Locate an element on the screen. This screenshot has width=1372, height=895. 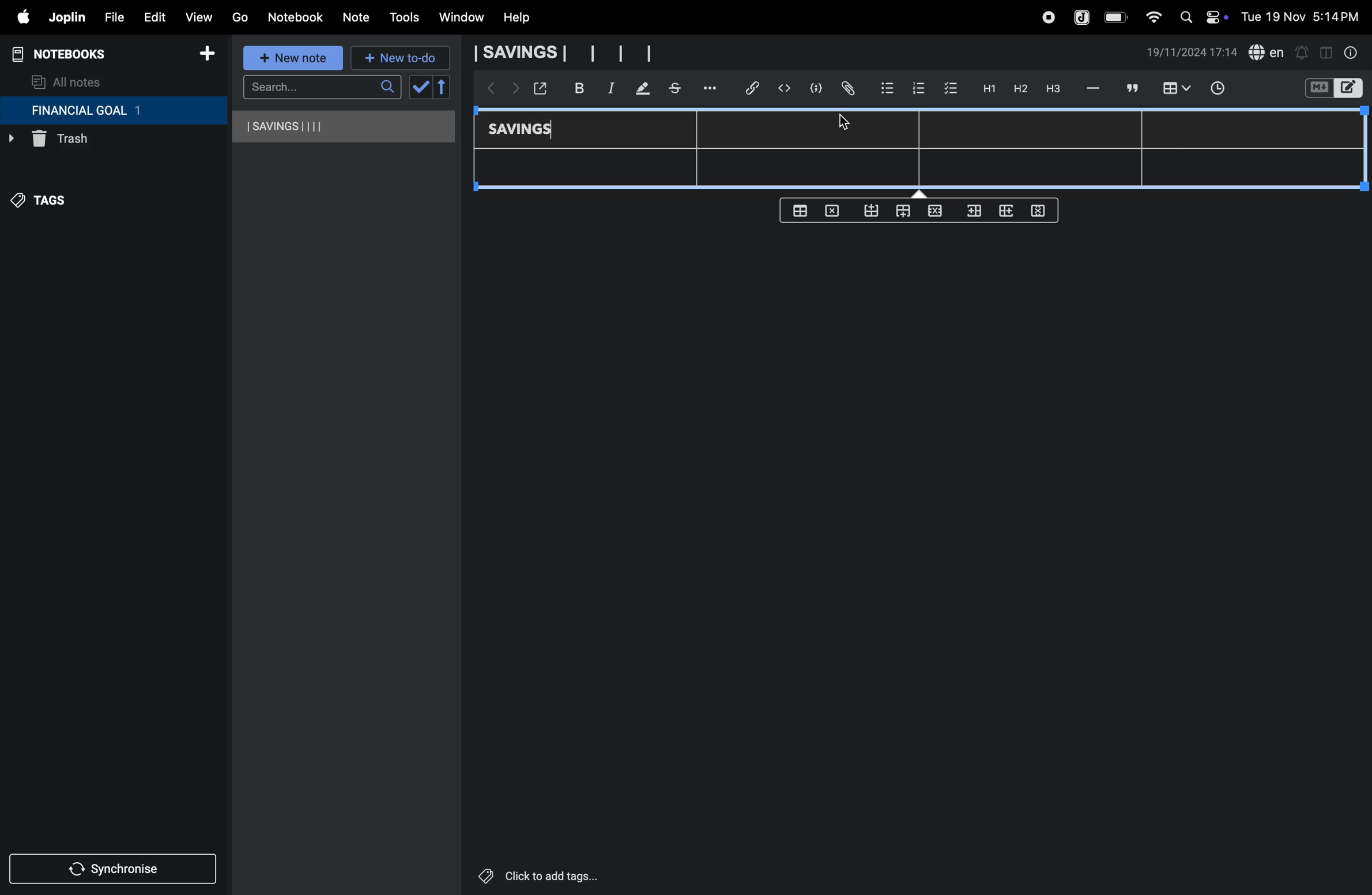
savings is located at coordinates (529, 130).